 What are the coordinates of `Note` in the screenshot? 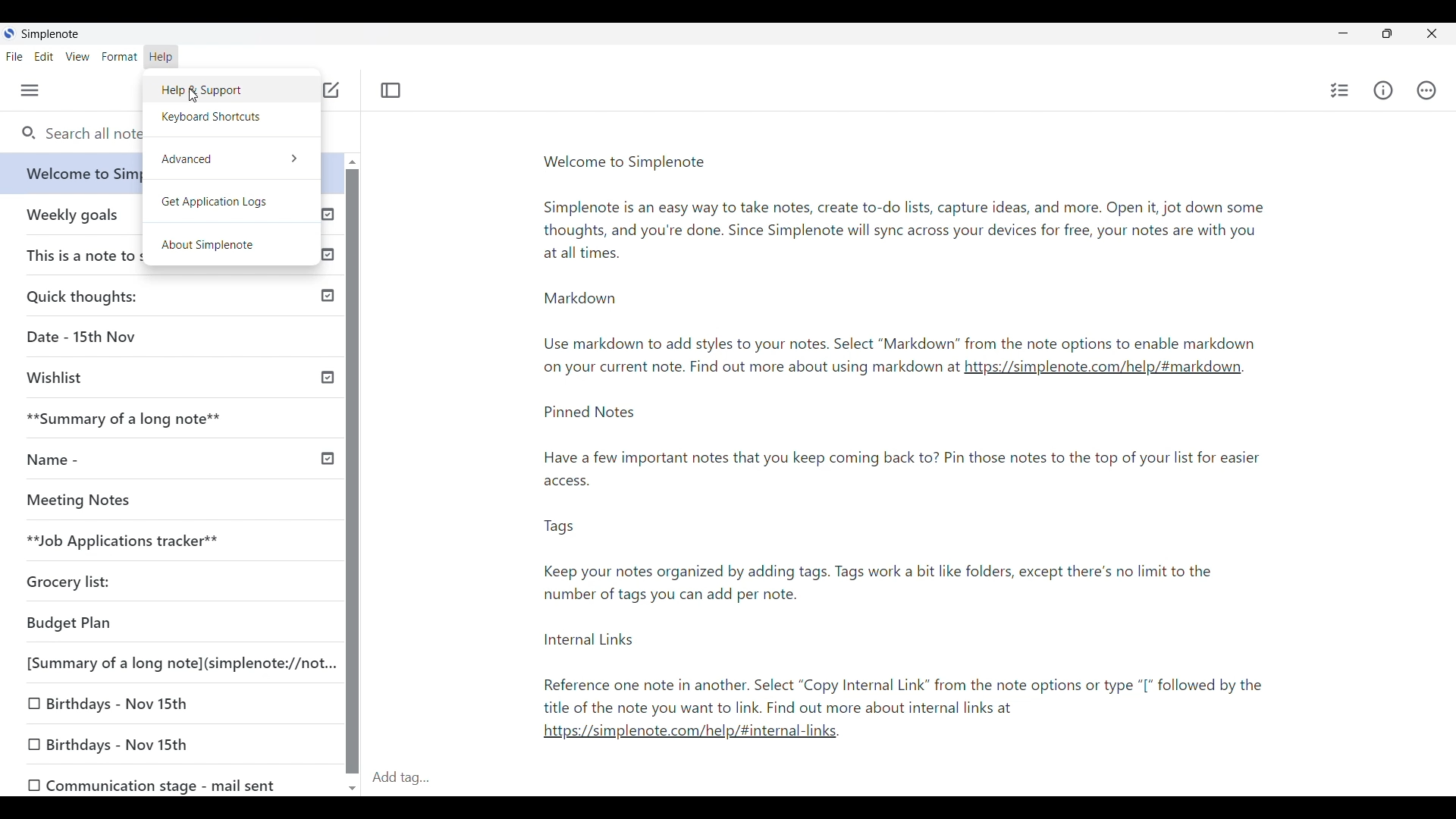 It's located at (748, 369).